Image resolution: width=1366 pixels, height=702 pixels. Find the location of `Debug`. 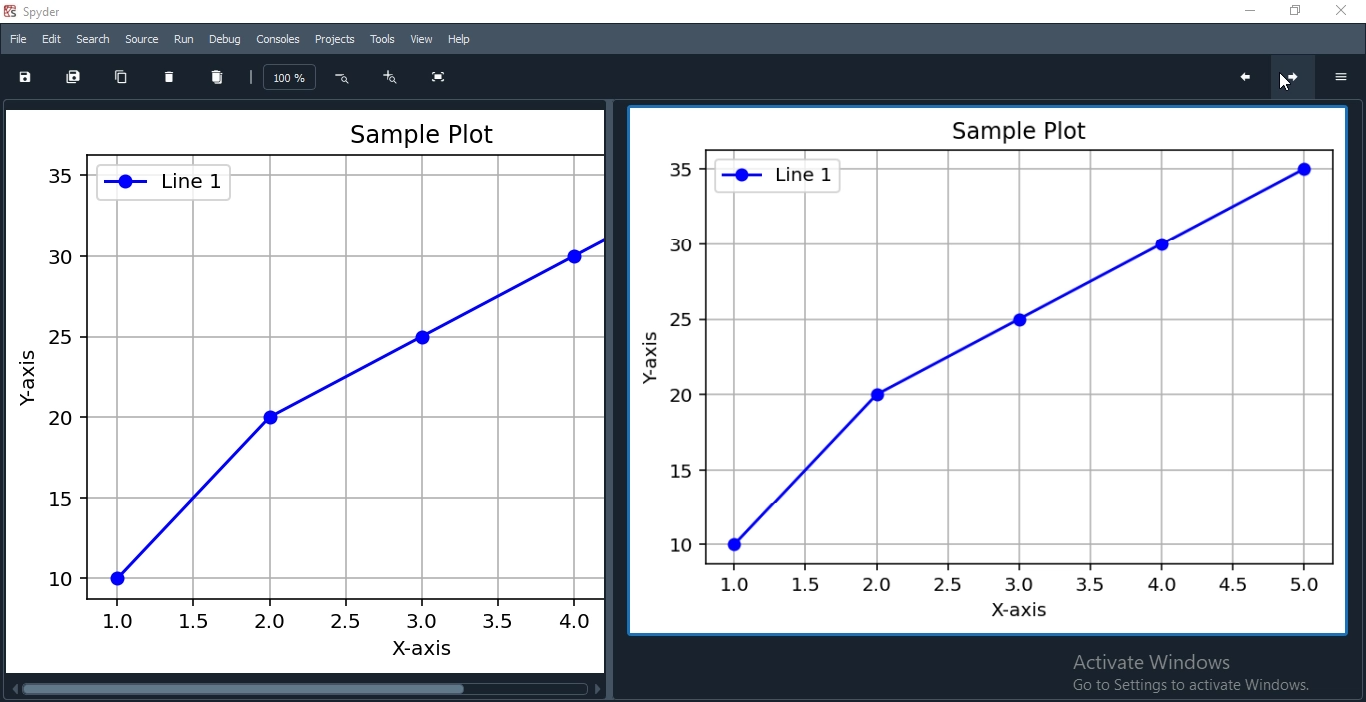

Debug is located at coordinates (223, 39).